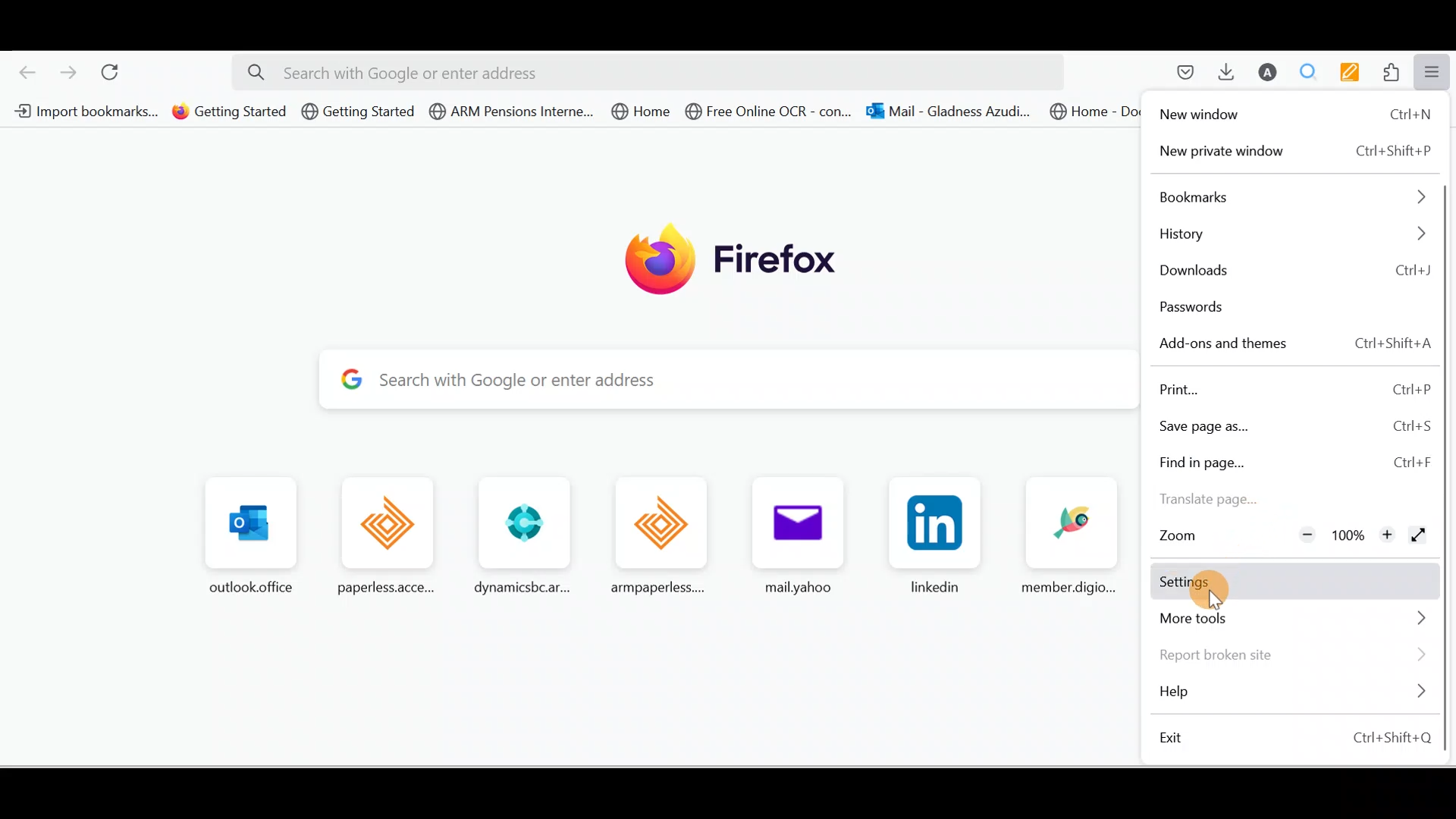 The height and width of the screenshot is (819, 1456). Describe the element at coordinates (1309, 71) in the screenshot. I see `Multiple search & highlight` at that location.